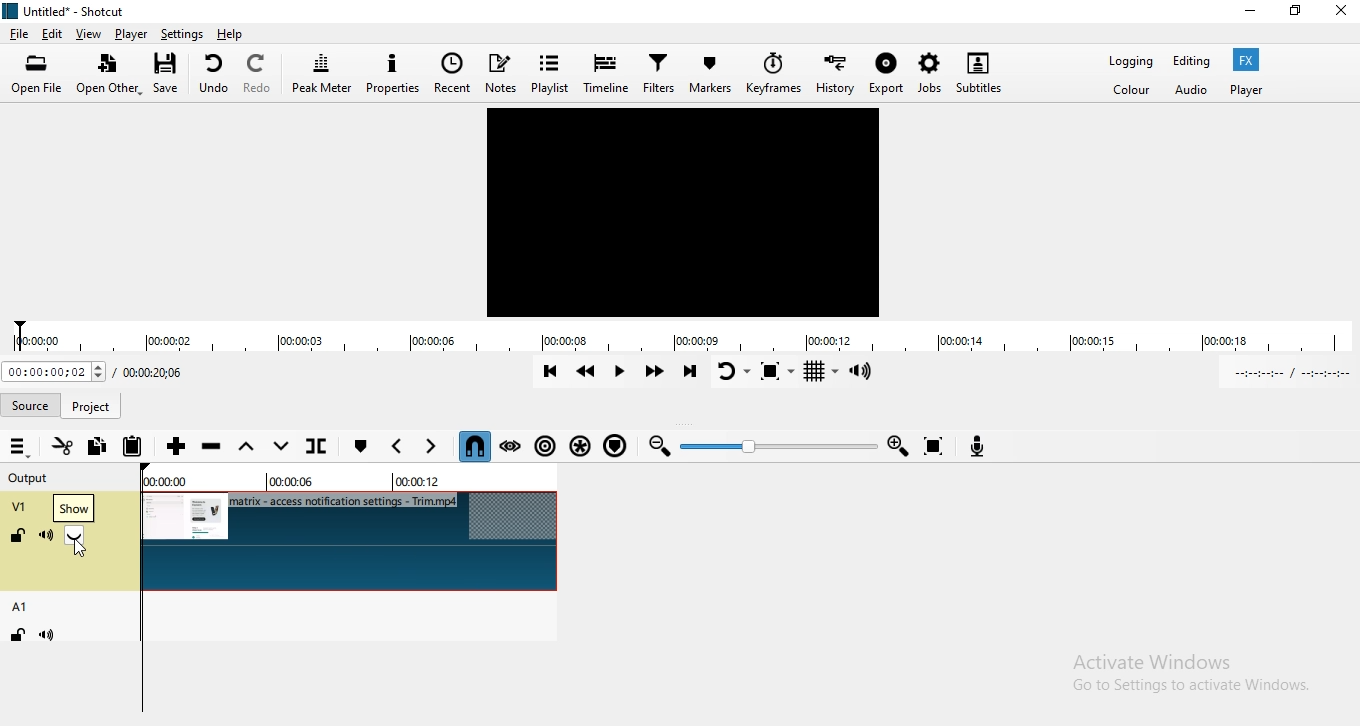  Describe the element at coordinates (501, 72) in the screenshot. I see `Notes` at that location.